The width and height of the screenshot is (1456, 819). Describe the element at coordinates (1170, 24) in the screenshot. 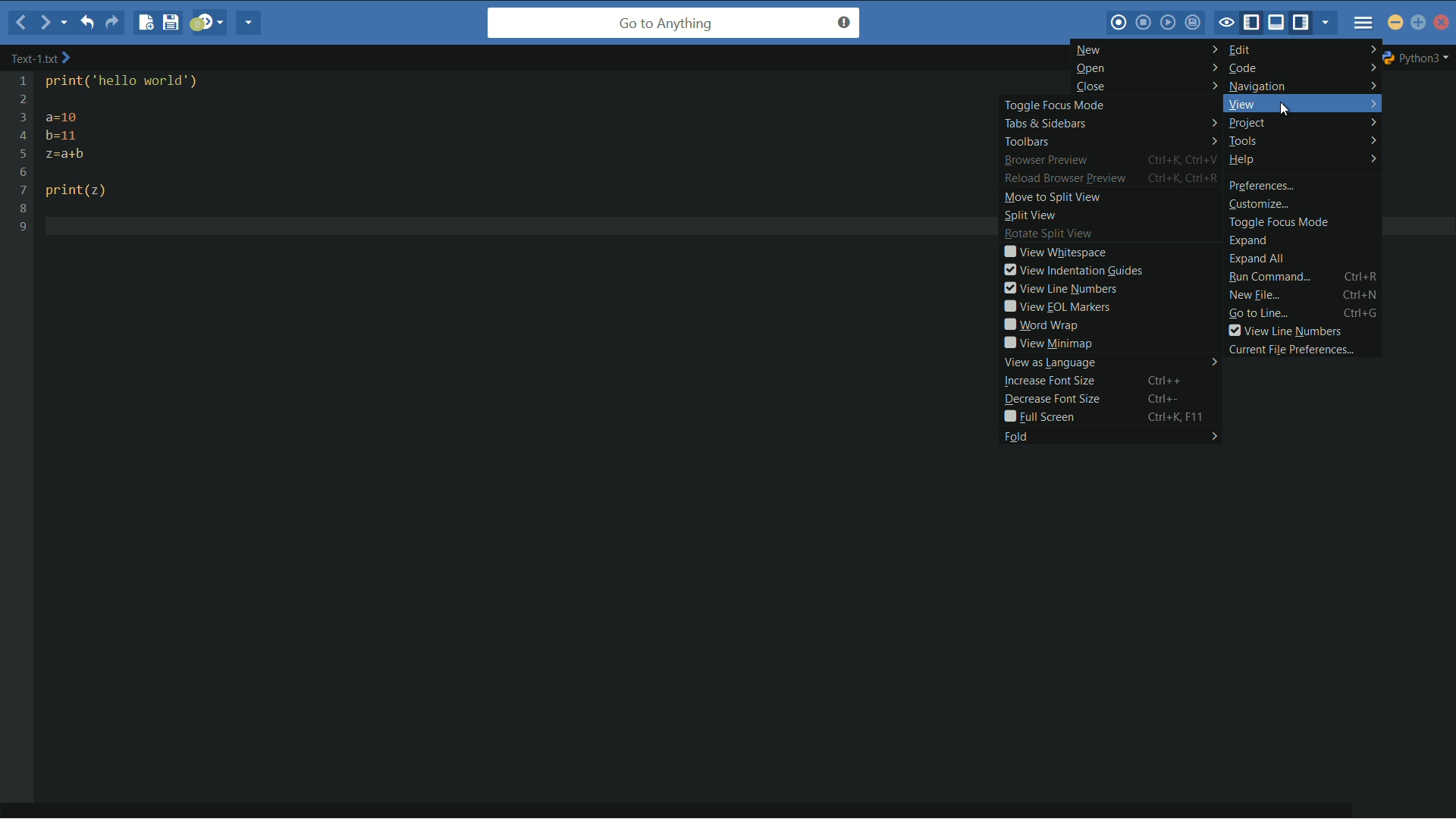

I see `play last macro` at that location.